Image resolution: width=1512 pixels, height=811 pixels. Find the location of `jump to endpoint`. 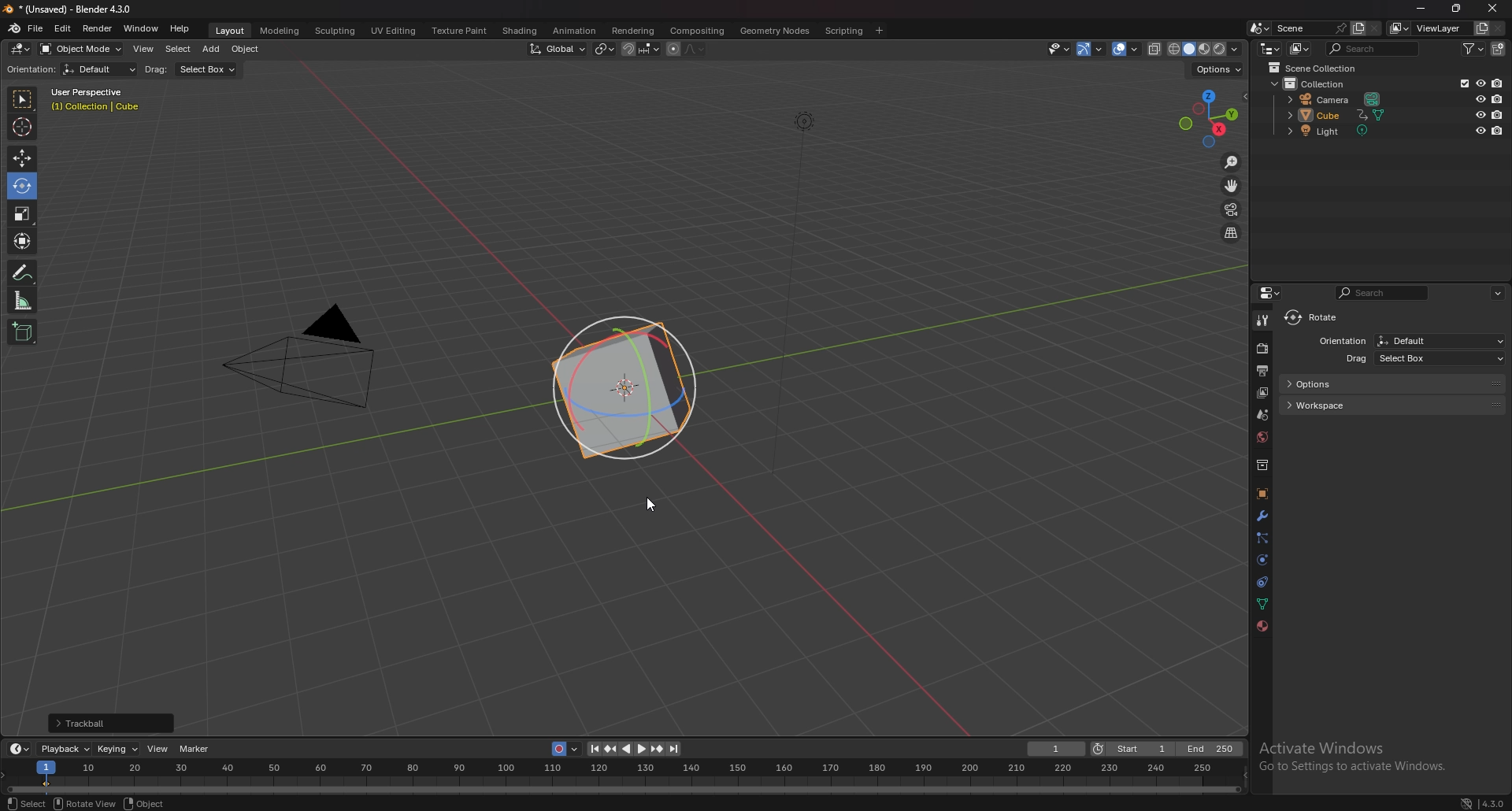

jump to endpoint is located at coordinates (592, 750).